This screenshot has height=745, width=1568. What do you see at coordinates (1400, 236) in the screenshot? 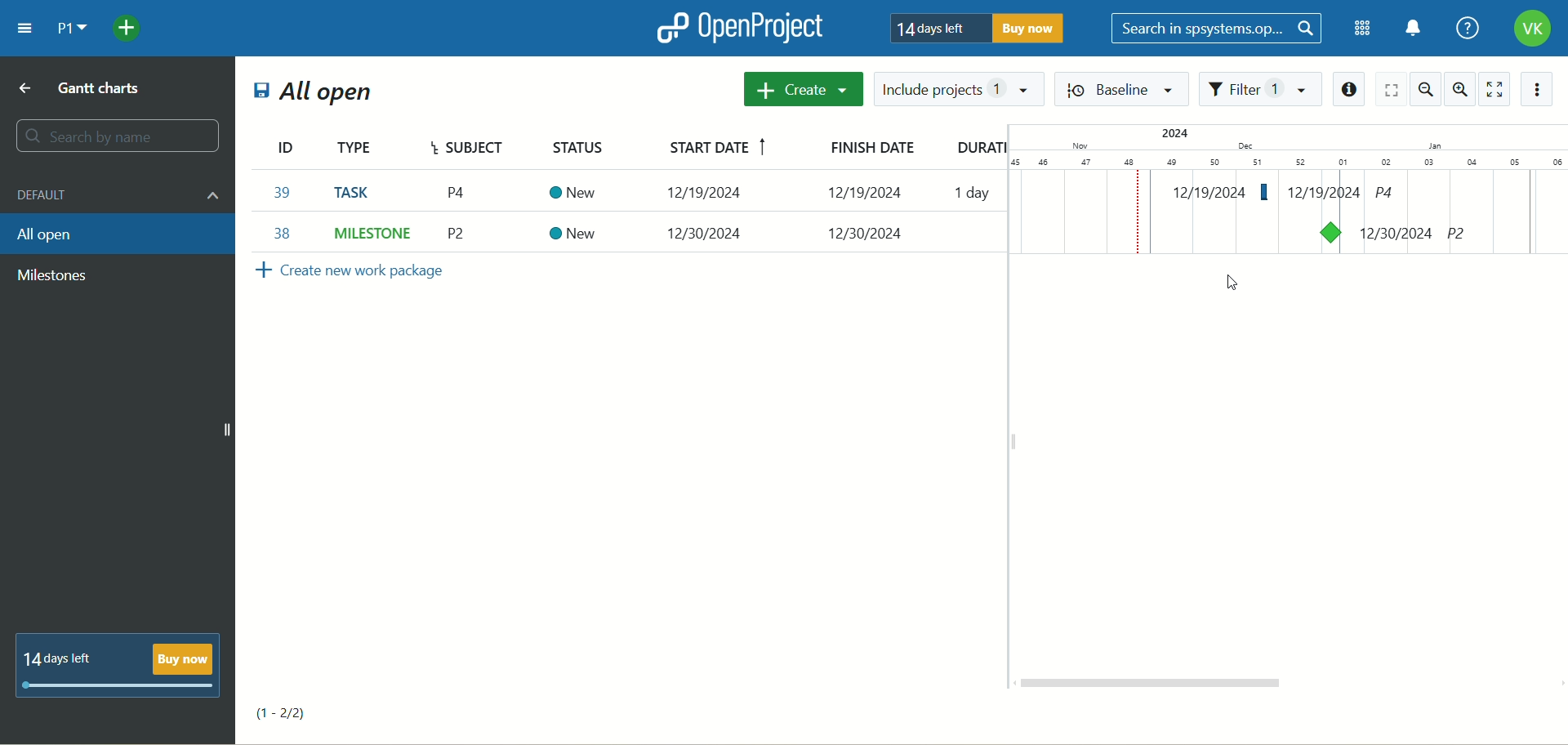
I see `12/30/2024` at bounding box center [1400, 236].